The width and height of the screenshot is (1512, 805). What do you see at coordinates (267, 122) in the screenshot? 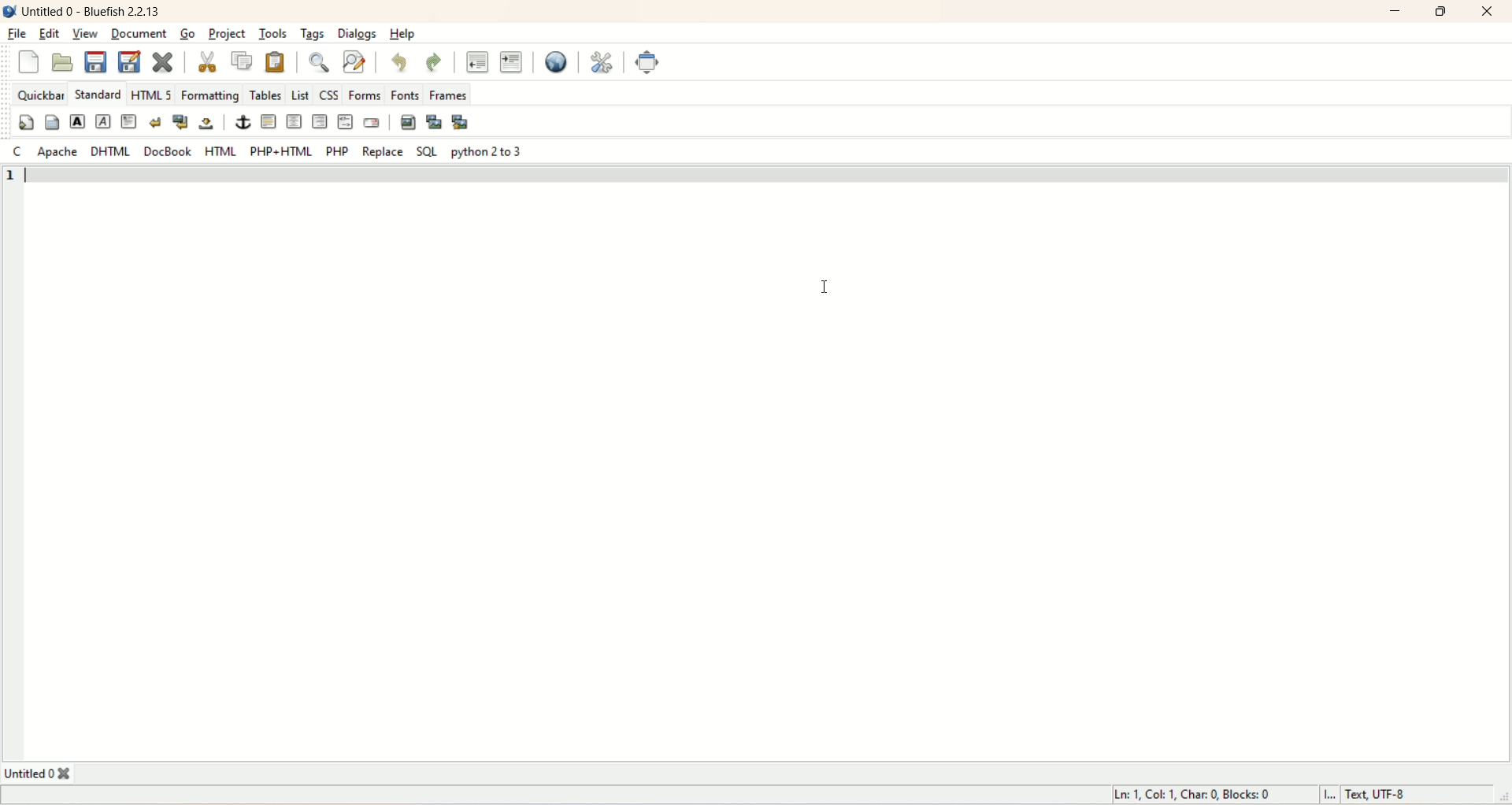
I see `horizontal rule` at bounding box center [267, 122].